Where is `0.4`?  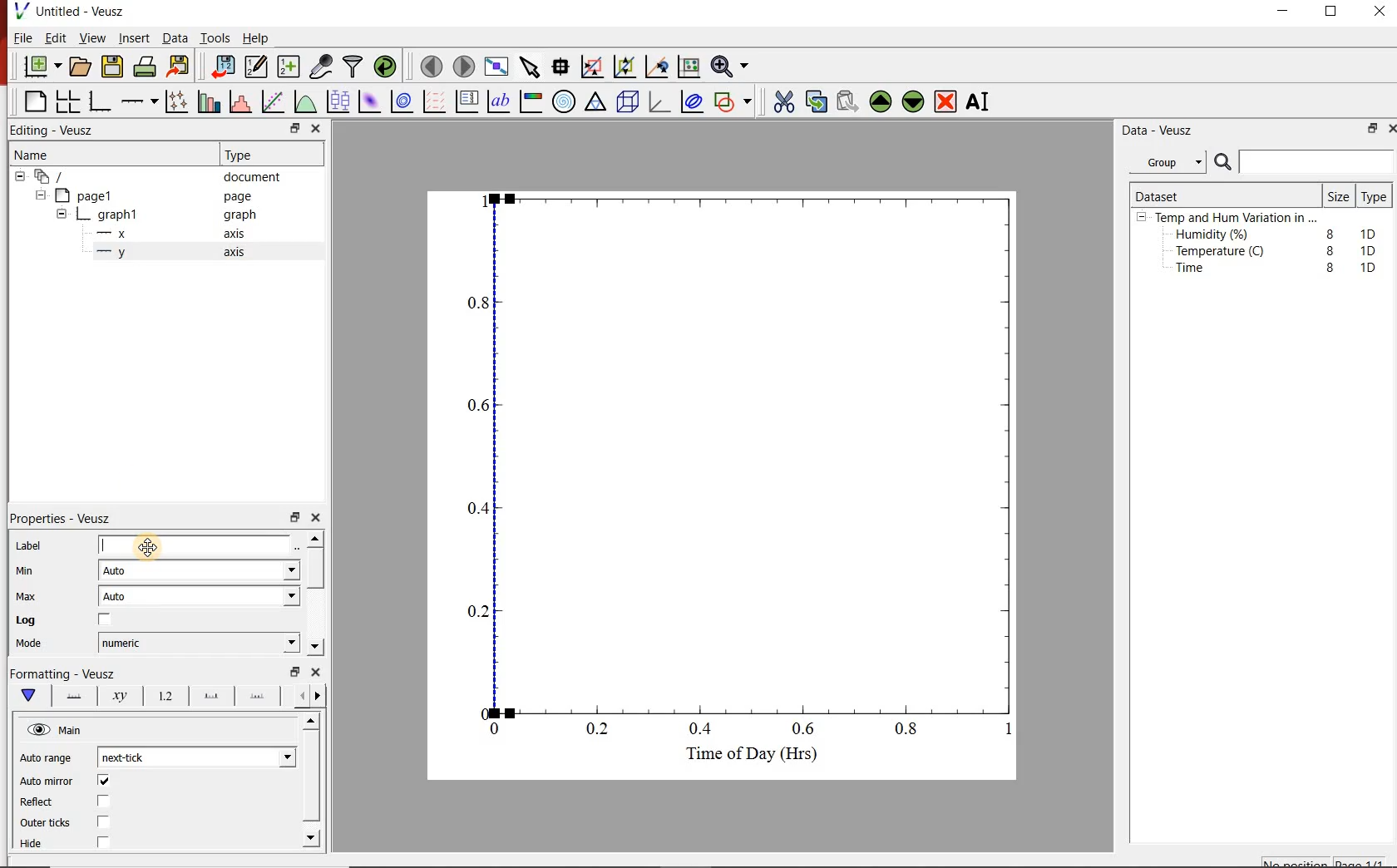 0.4 is located at coordinates (703, 730).